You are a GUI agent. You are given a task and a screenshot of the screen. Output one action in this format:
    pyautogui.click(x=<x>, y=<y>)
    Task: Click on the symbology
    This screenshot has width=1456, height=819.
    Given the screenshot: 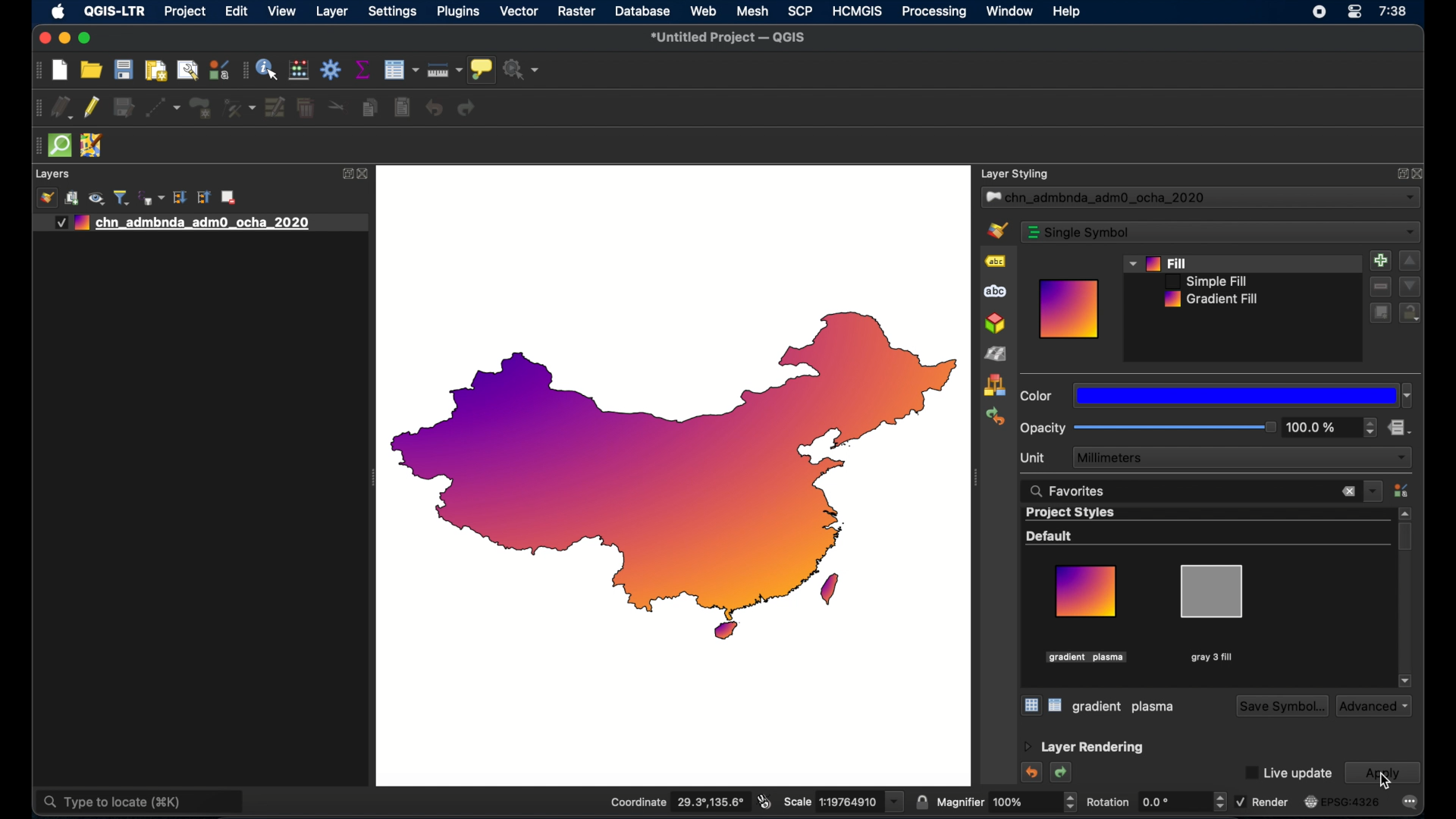 What is the action you would take?
    pyautogui.click(x=996, y=231)
    